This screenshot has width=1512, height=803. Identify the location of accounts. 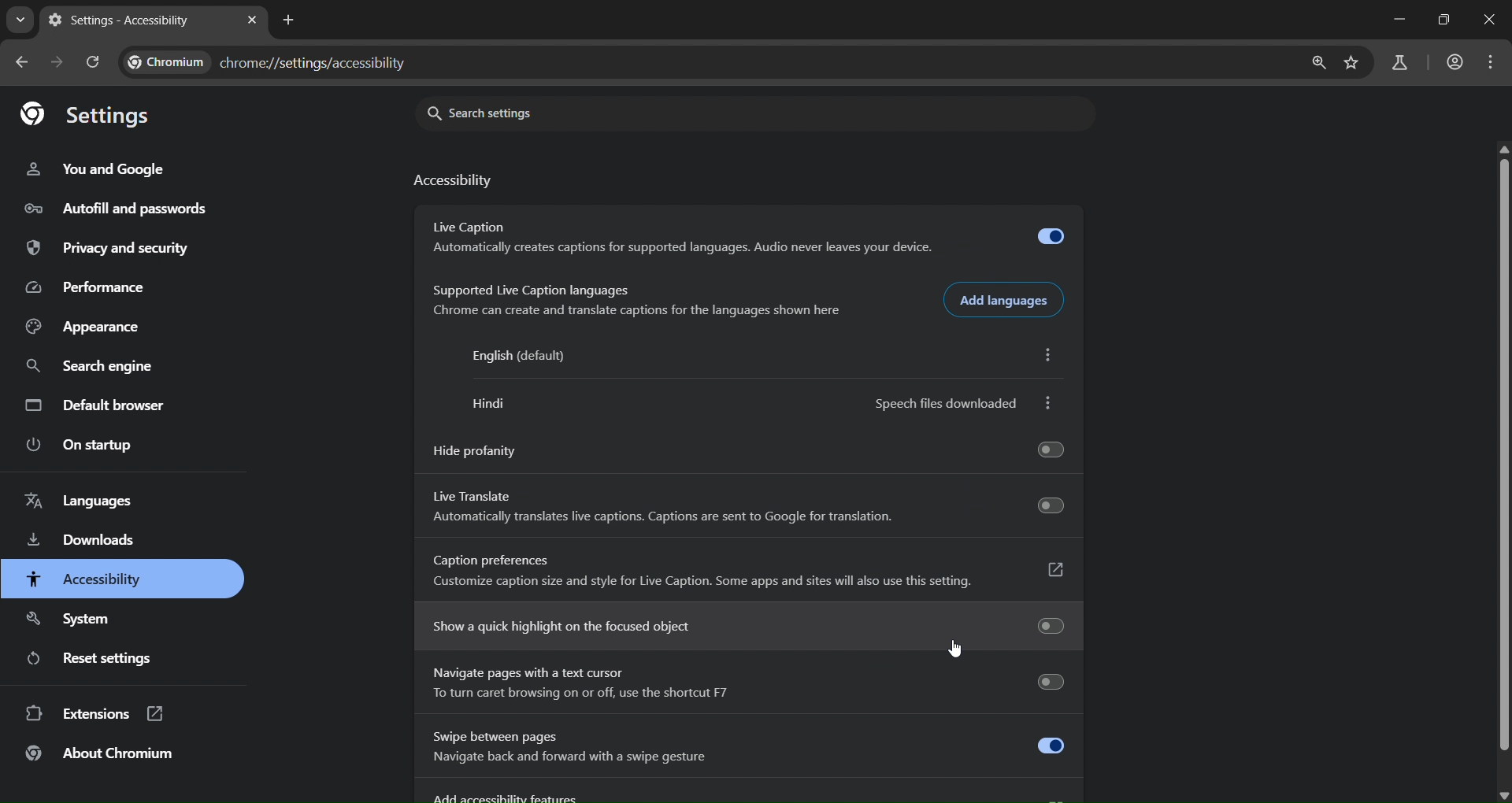
(1455, 61).